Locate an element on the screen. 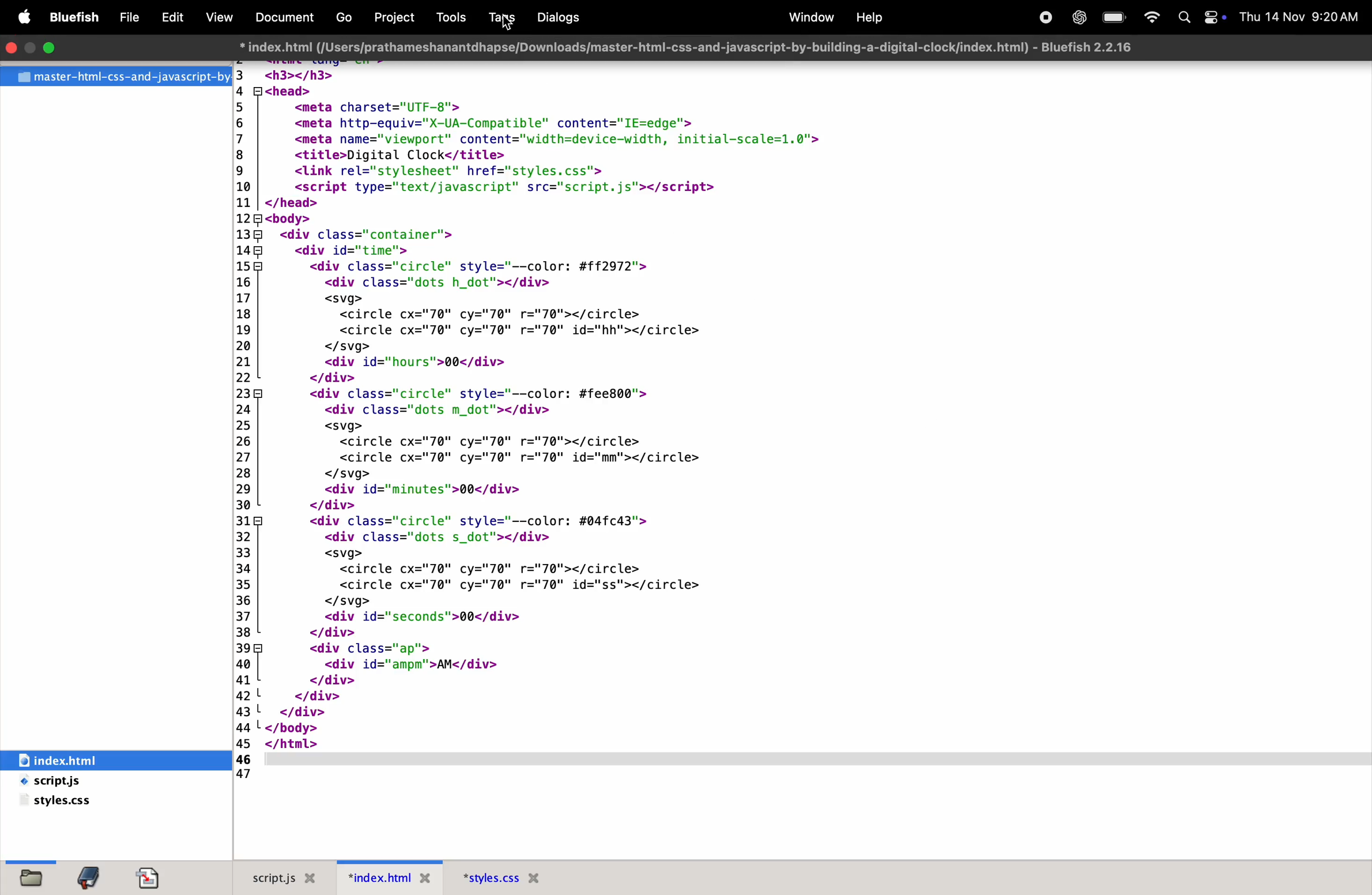 Image resolution: width=1372 pixels, height=895 pixels. document is located at coordinates (152, 878).